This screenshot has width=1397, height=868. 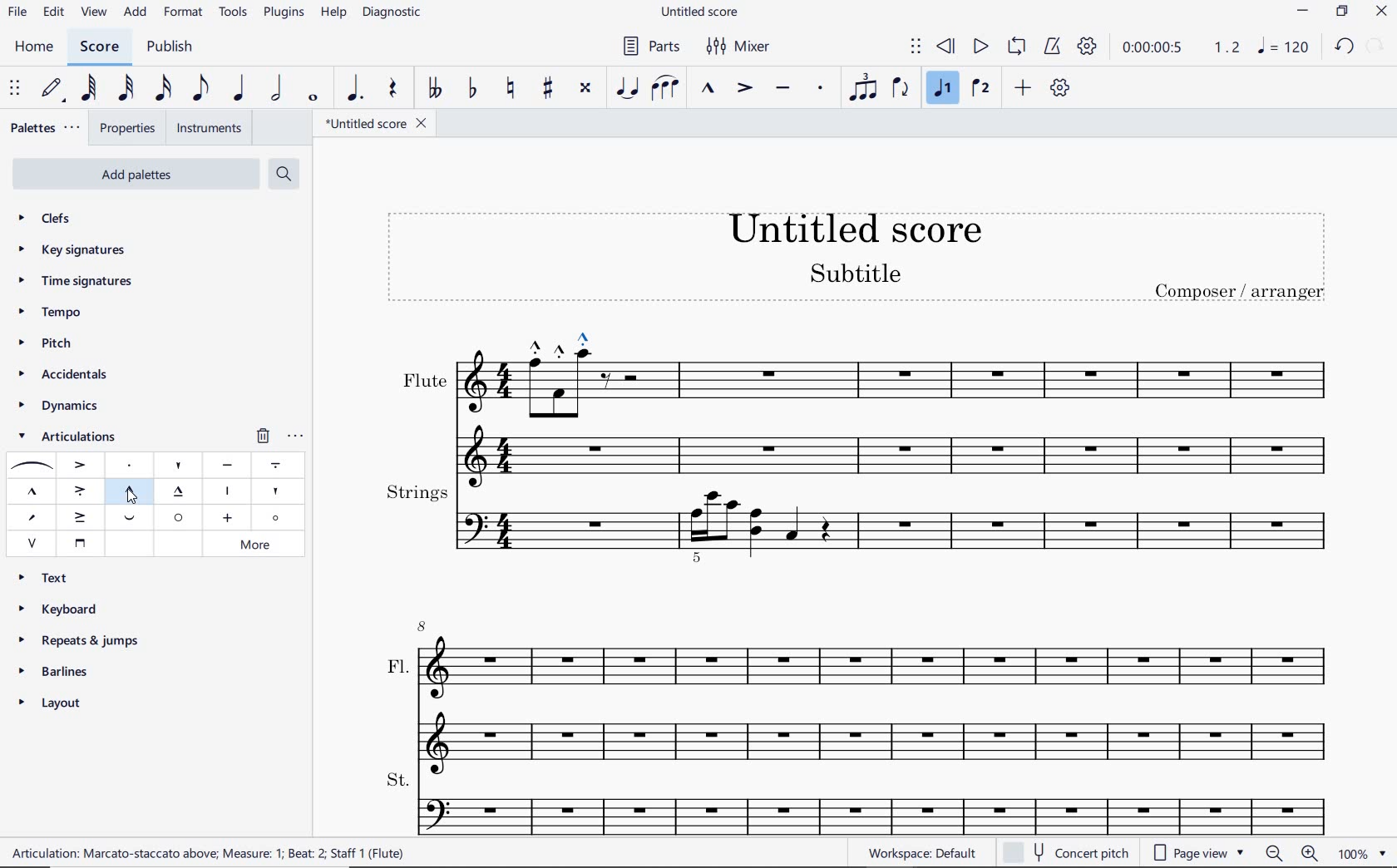 What do you see at coordinates (91, 13) in the screenshot?
I see `view` at bounding box center [91, 13].